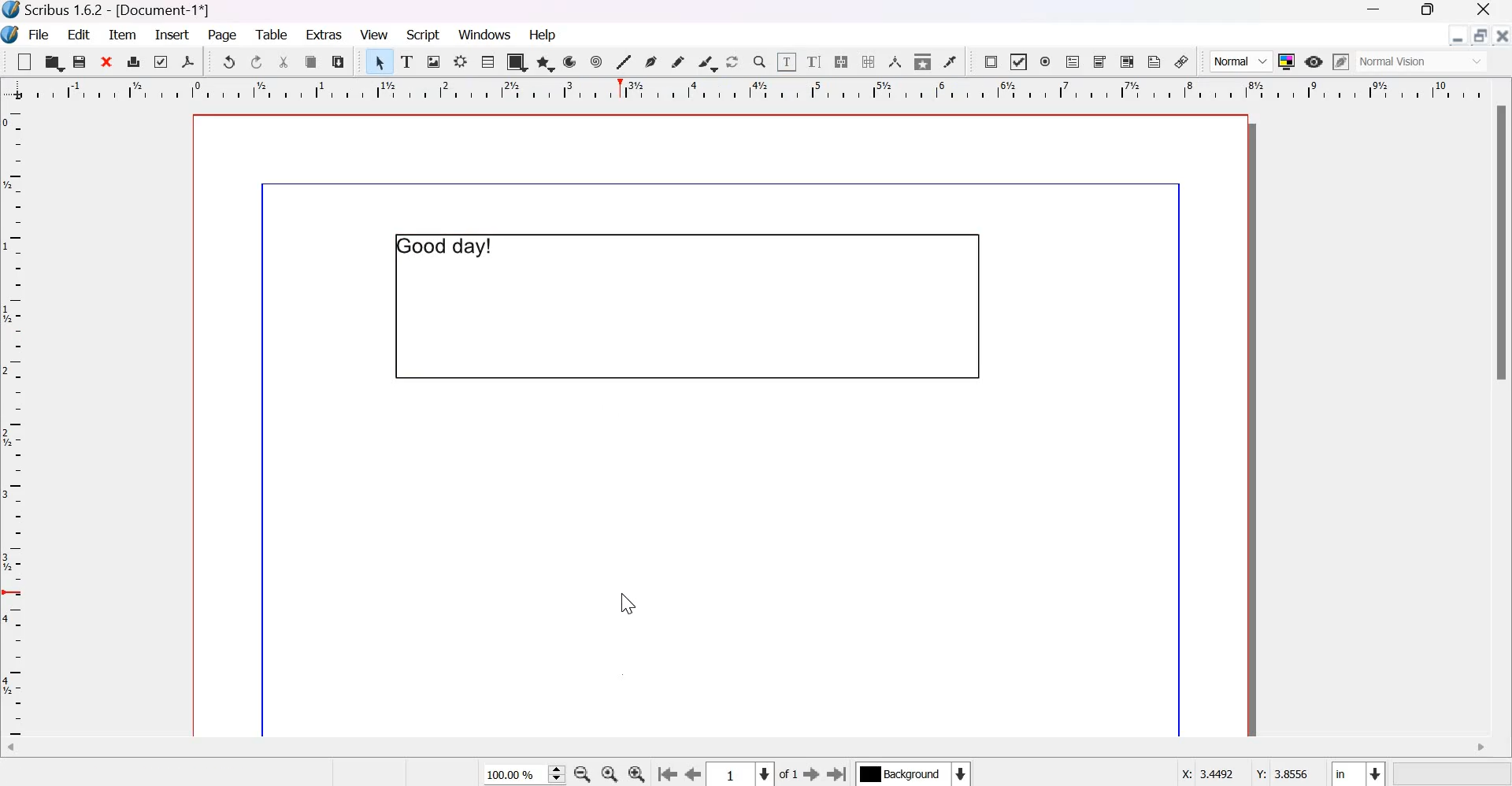  Describe the element at coordinates (623, 61) in the screenshot. I see `line` at that location.